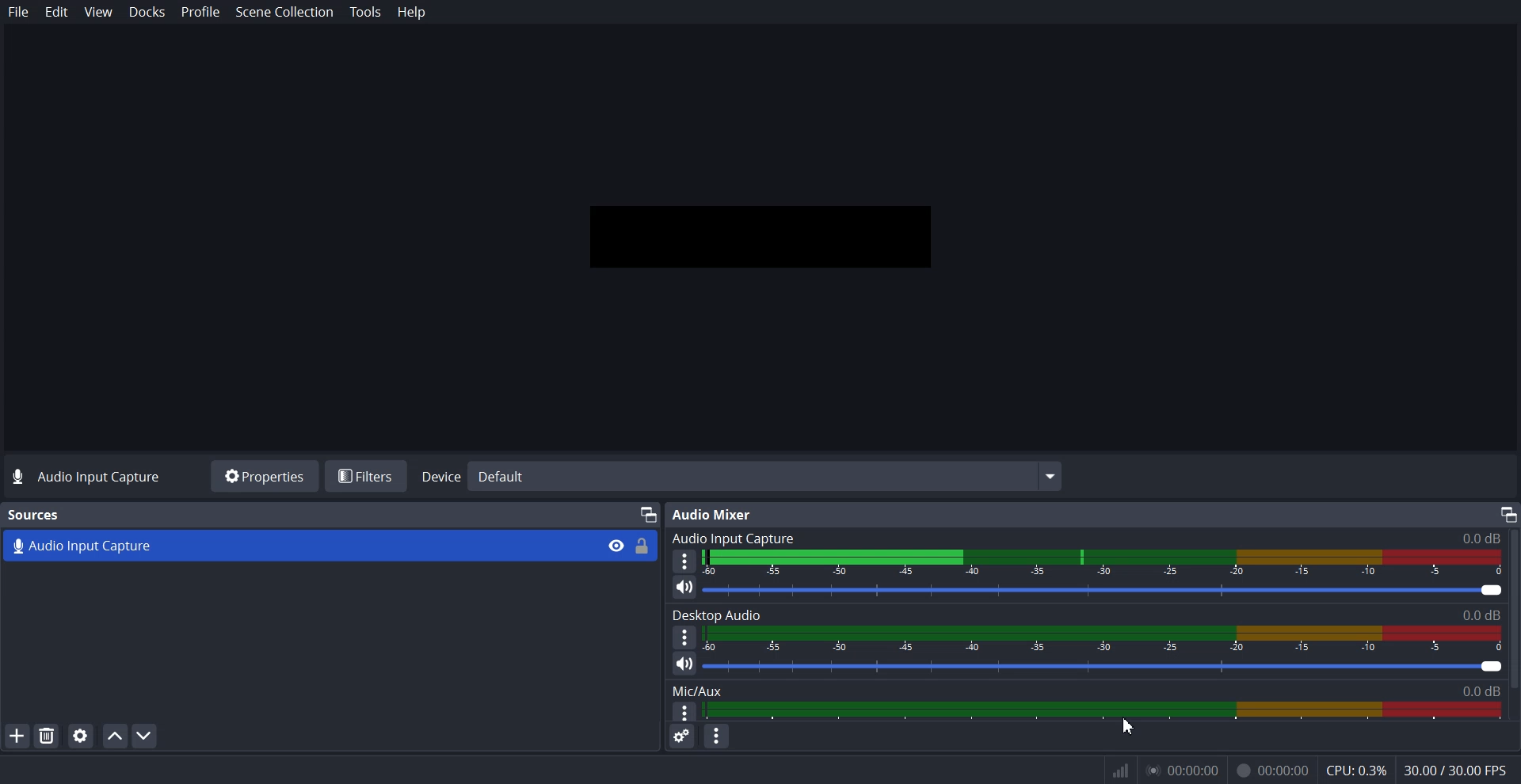 This screenshot has width=1521, height=784. I want to click on Help, so click(411, 12).